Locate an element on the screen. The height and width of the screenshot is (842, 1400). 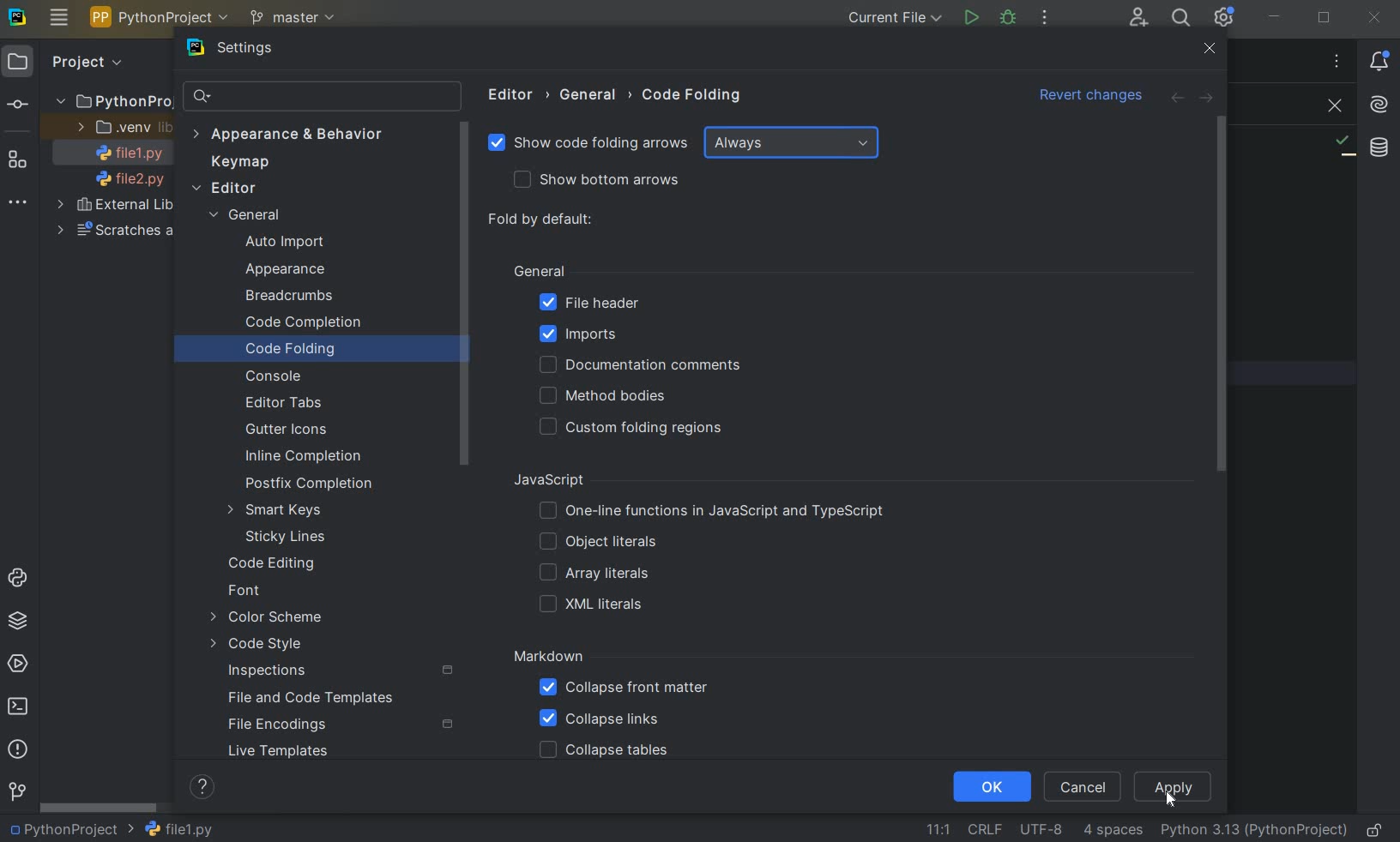
CONSOLE is located at coordinates (280, 376).